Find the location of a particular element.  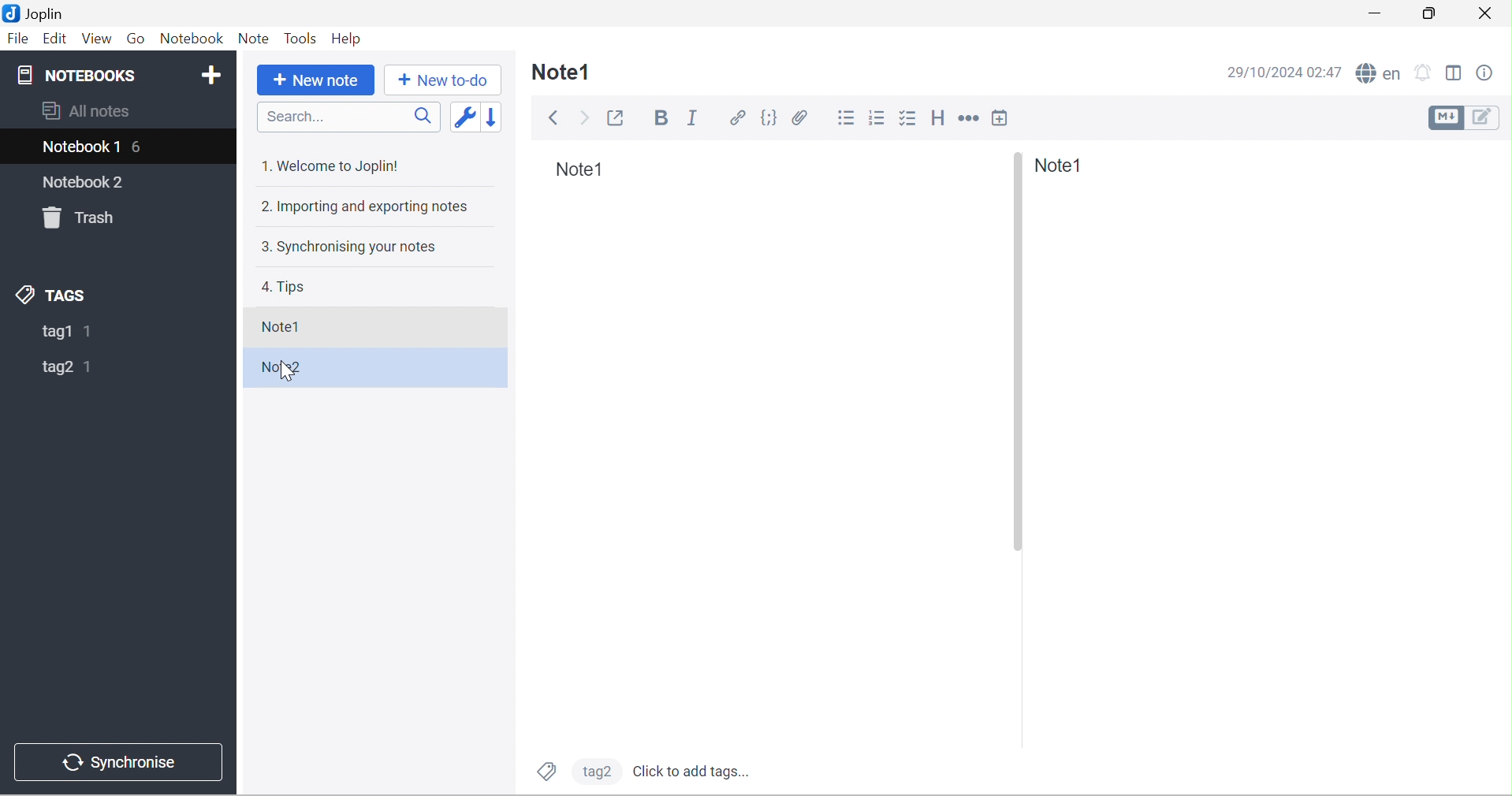

Note2 is located at coordinates (282, 367).